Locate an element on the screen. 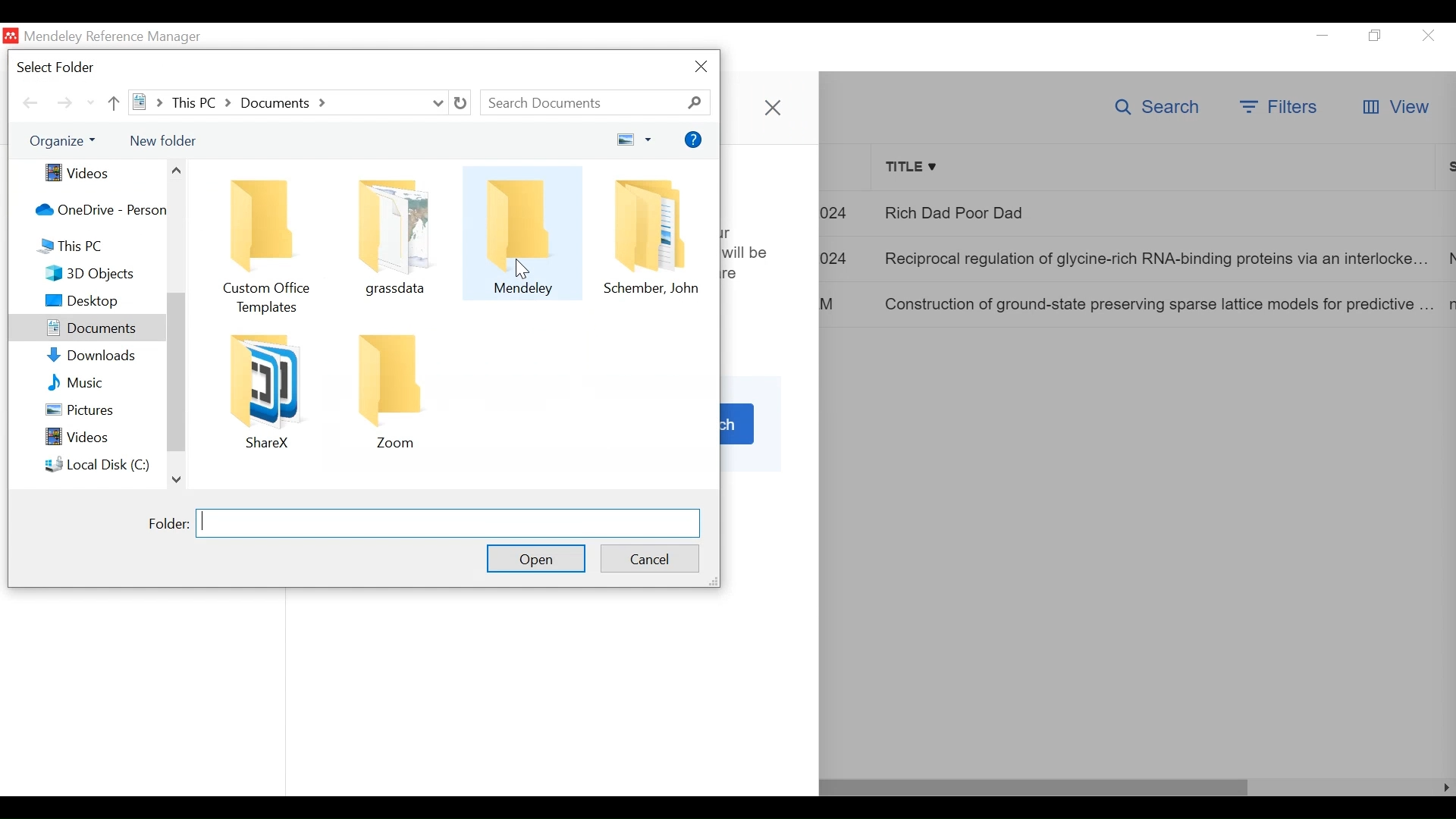  Music is located at coordinates (102, 383).